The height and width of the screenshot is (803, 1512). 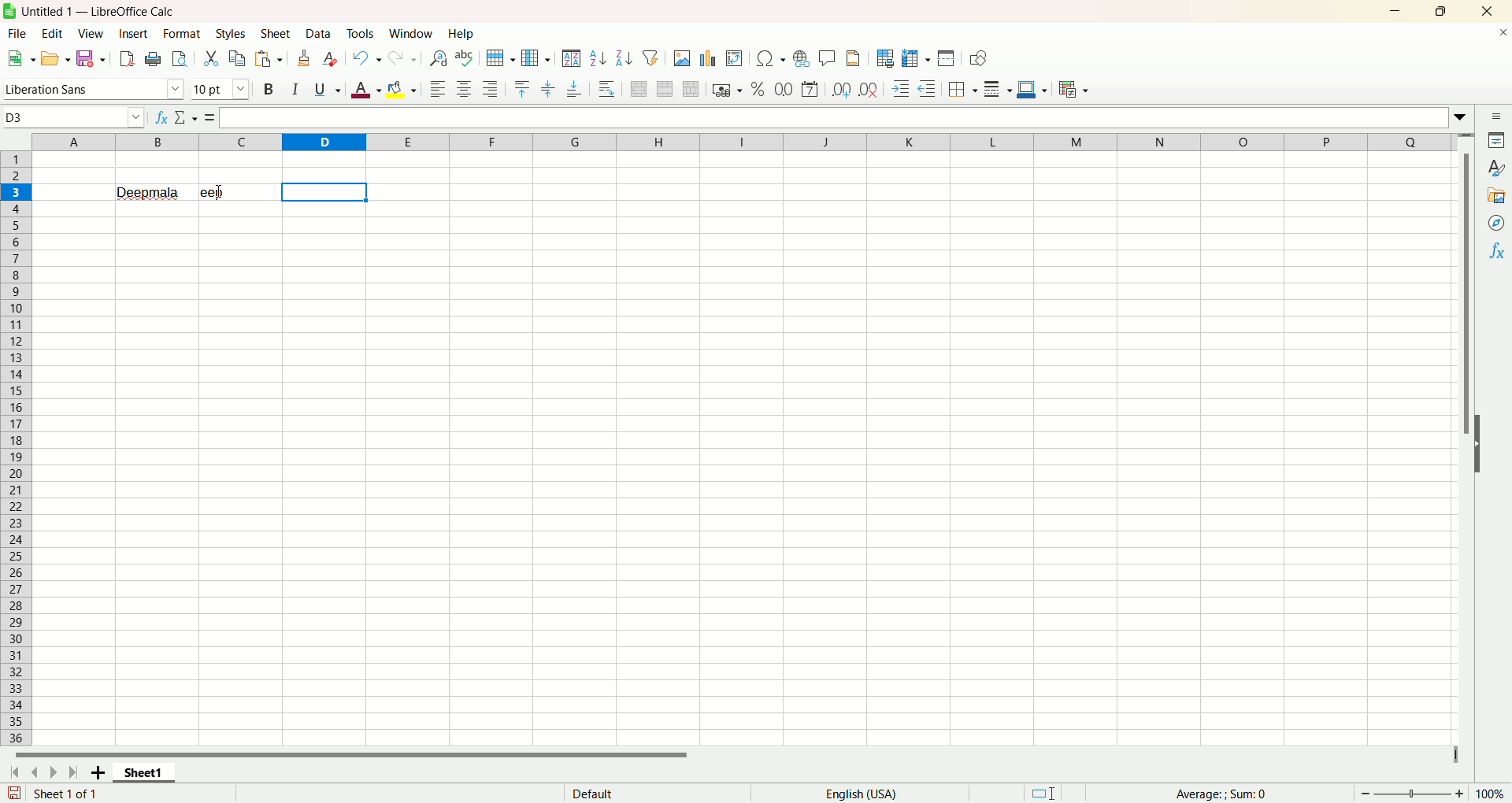 I want to click on Row, so click(x=502, y=58).